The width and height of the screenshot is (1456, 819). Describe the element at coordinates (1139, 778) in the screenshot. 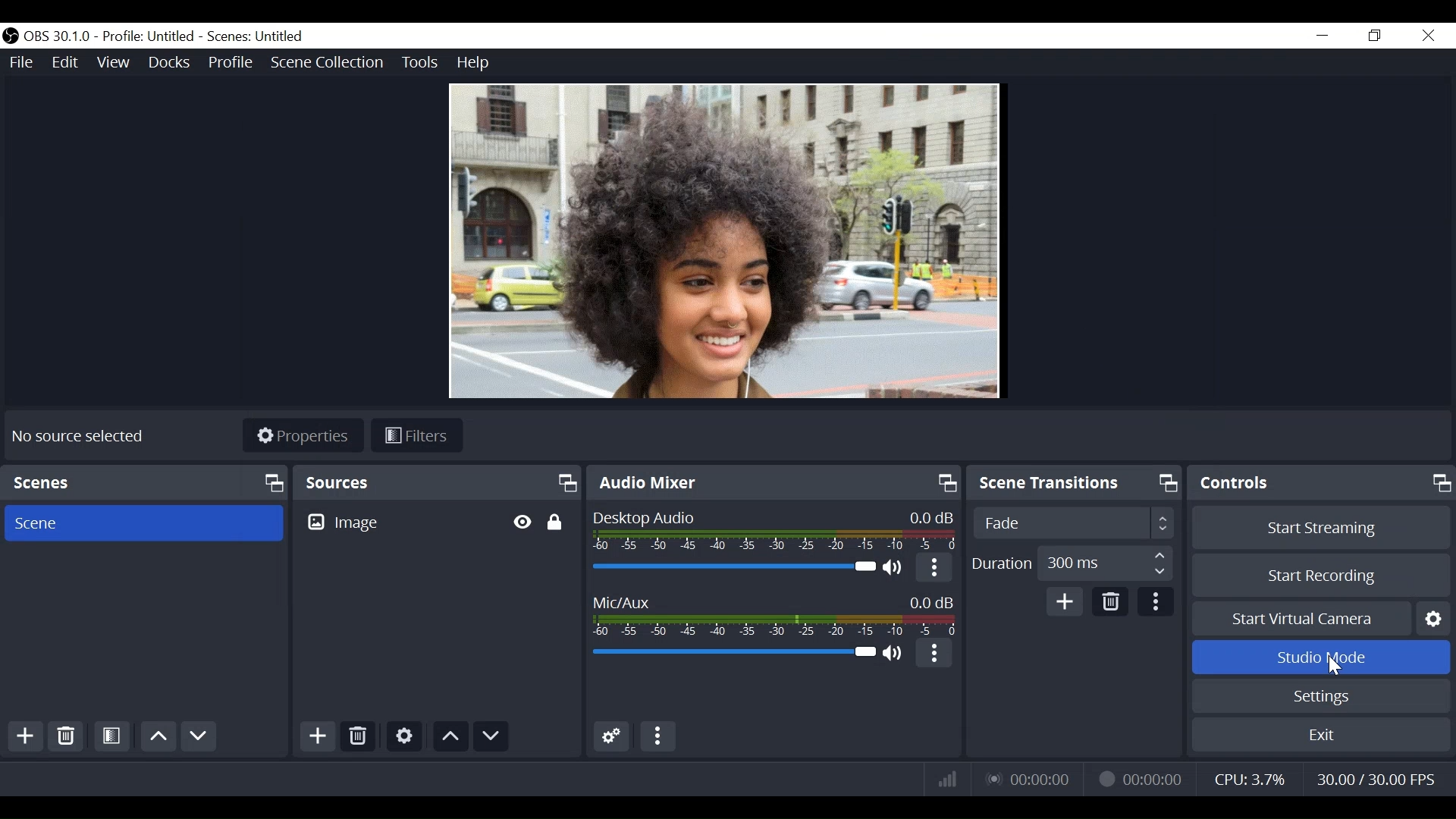

I see `Recording Status` at that location.